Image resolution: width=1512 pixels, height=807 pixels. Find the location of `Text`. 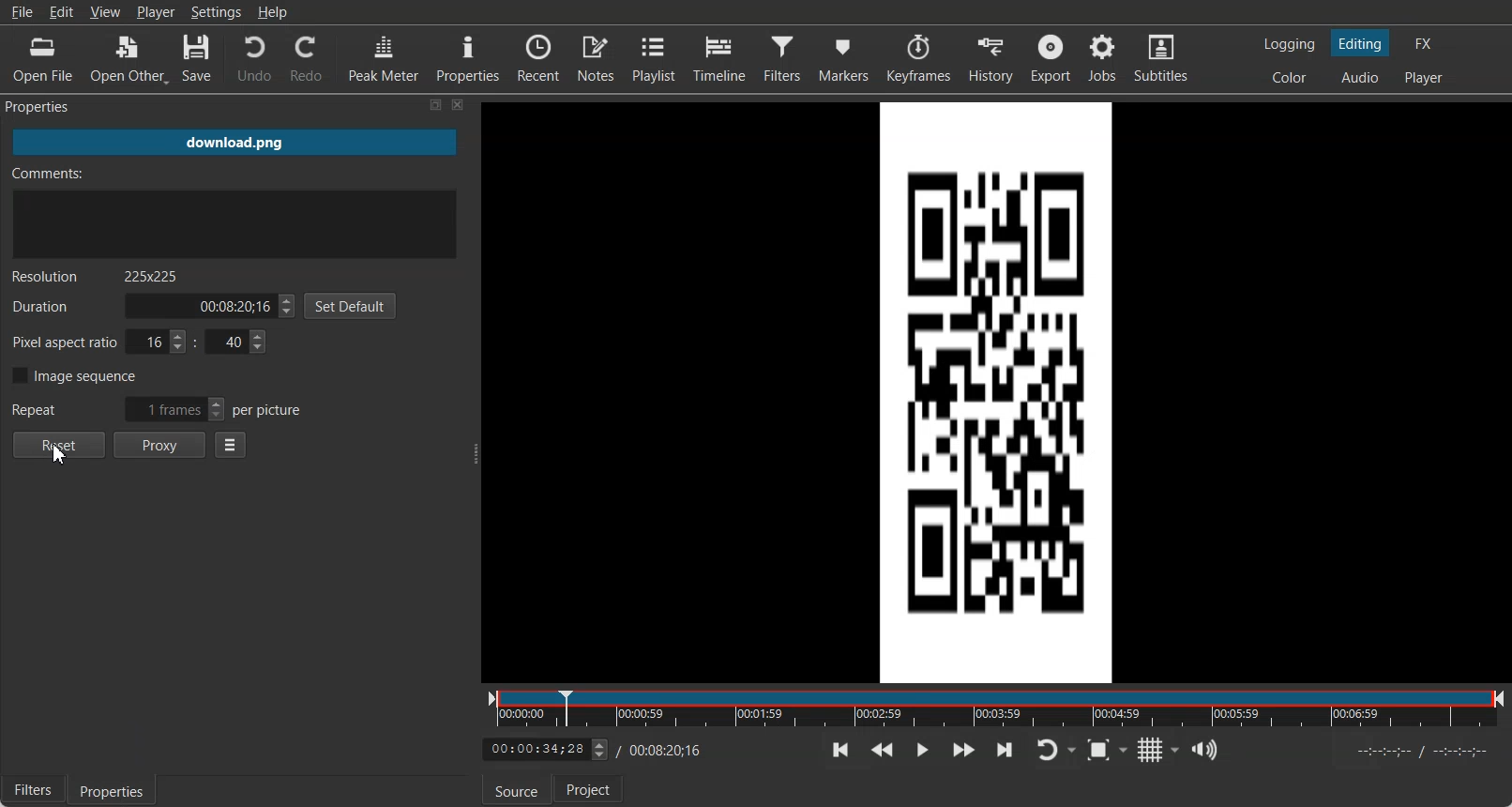

Text is located at coordinates (96, 276).